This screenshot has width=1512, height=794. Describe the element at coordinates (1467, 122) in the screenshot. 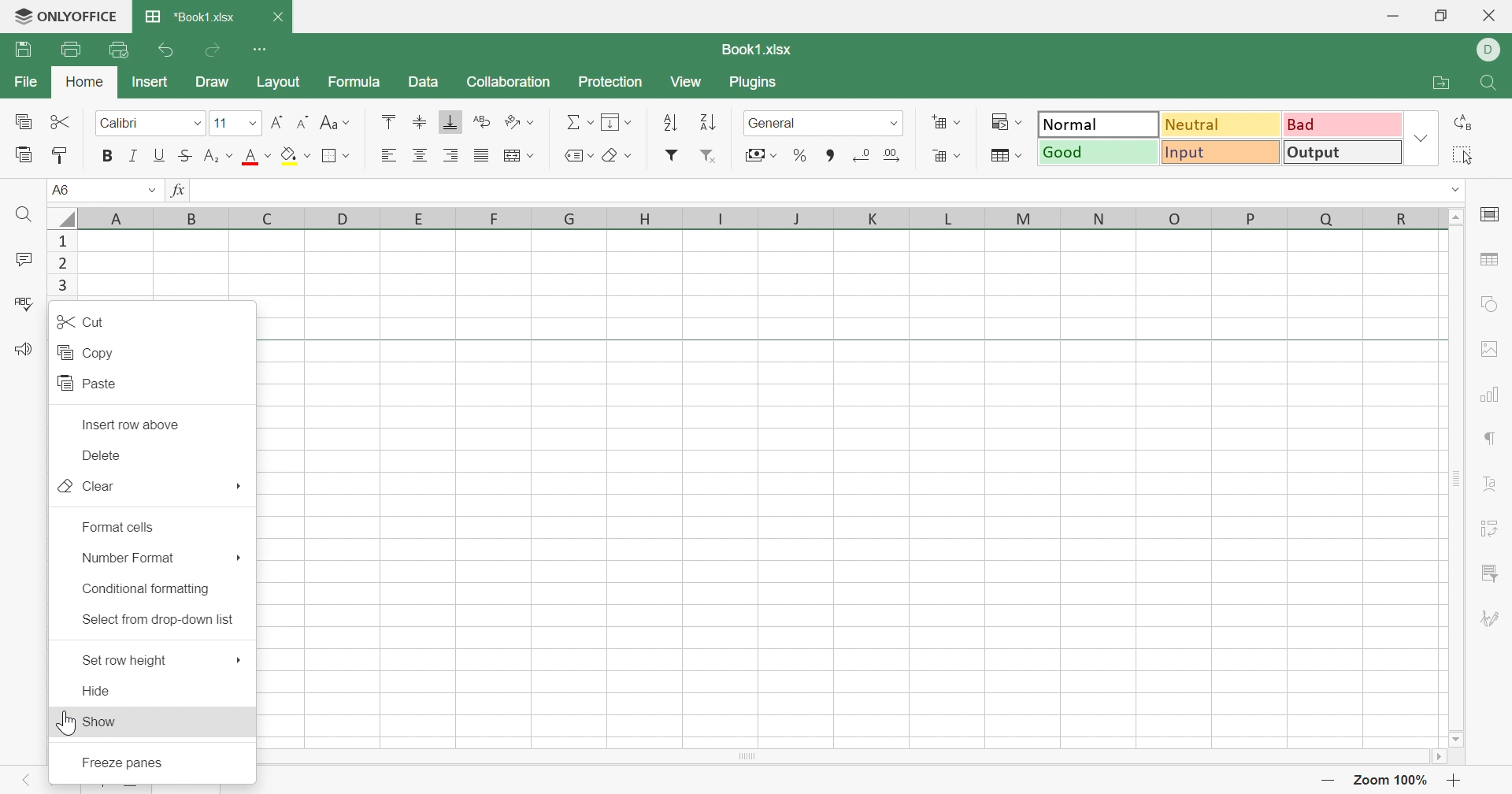

I see `Replace` at that location.